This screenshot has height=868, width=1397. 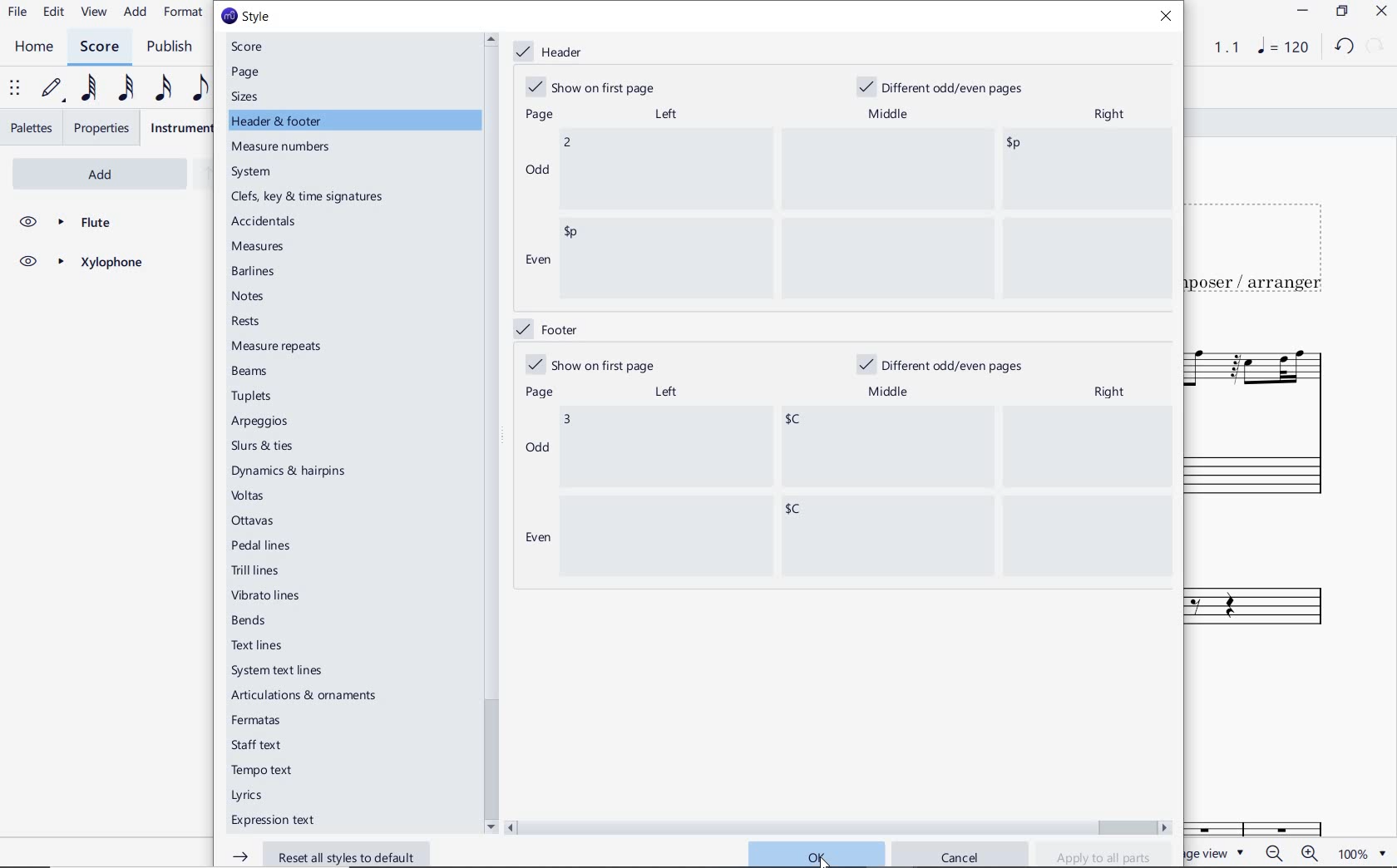 What do you see at coordinates (163, 87) in the screenshot?
I see `16TH NOTE` at bounding box center [163, 87].